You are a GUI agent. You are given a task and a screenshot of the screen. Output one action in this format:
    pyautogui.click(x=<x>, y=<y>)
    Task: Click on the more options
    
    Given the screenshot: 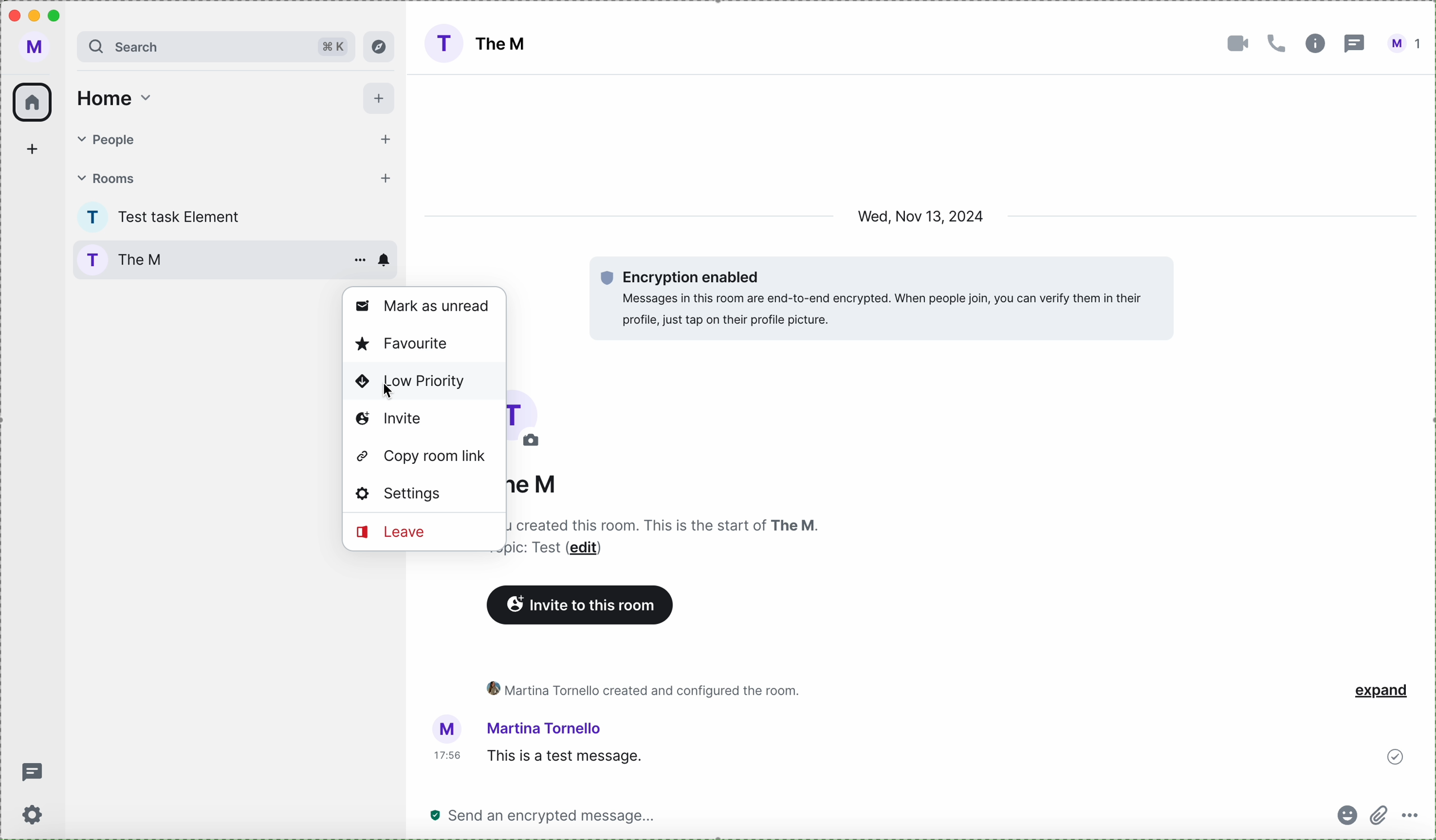 What is the action you would take?
    pyautogui.click(x=361, y=263)
    